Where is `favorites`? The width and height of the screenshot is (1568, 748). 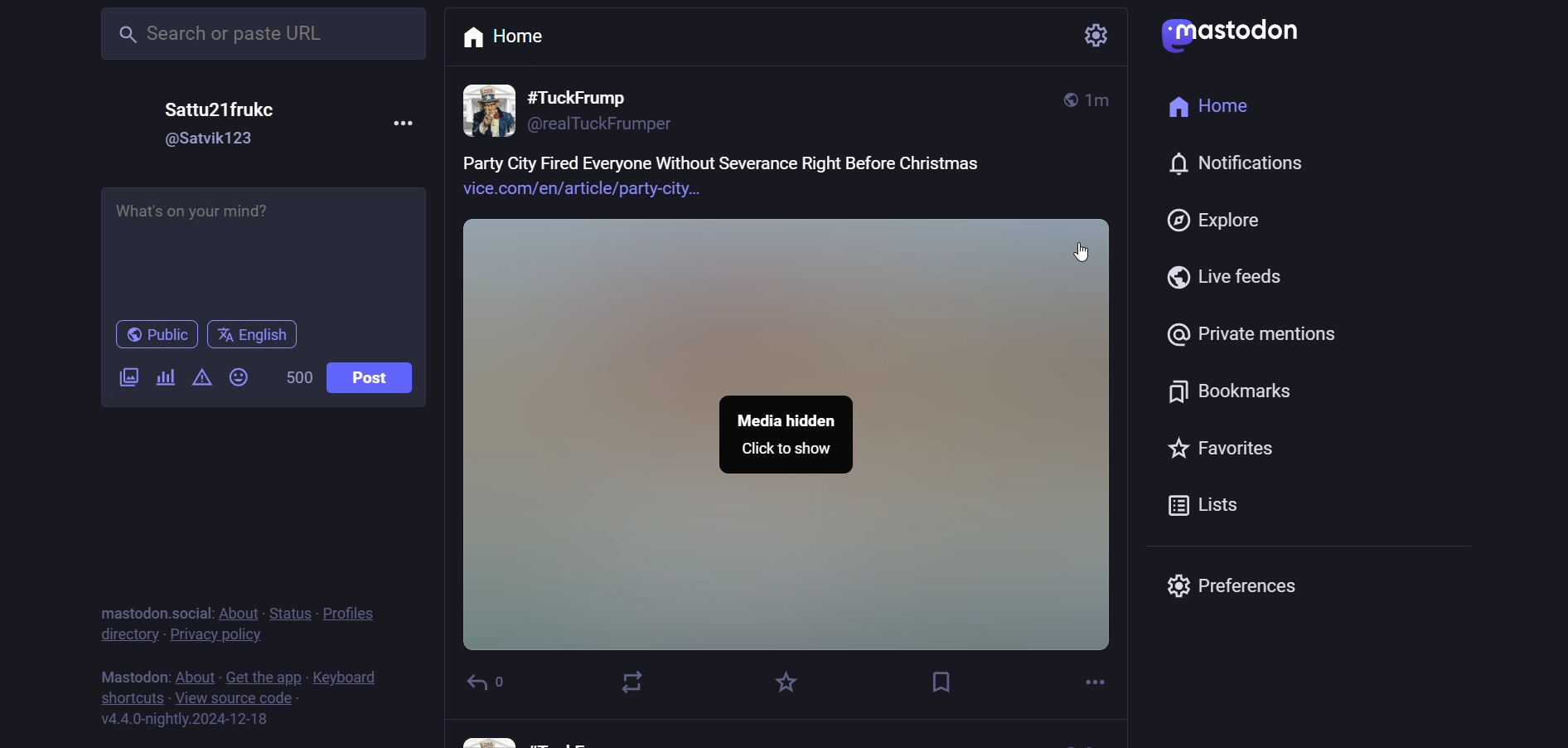
favorites is located at coordinates (786, 682).